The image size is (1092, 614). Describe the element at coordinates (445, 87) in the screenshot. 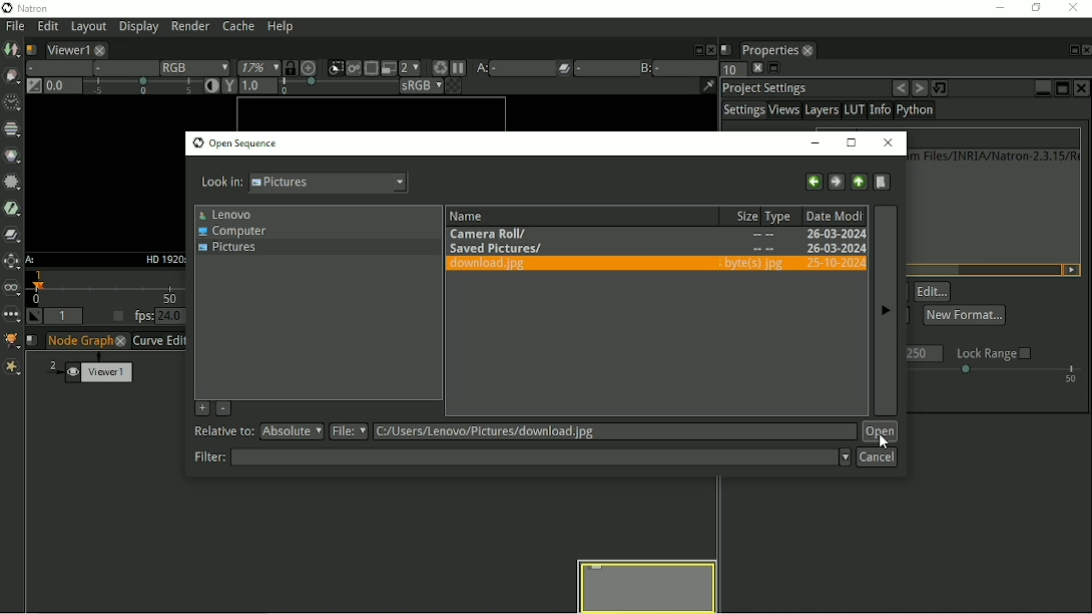

I see `Checkerboard` at that location.